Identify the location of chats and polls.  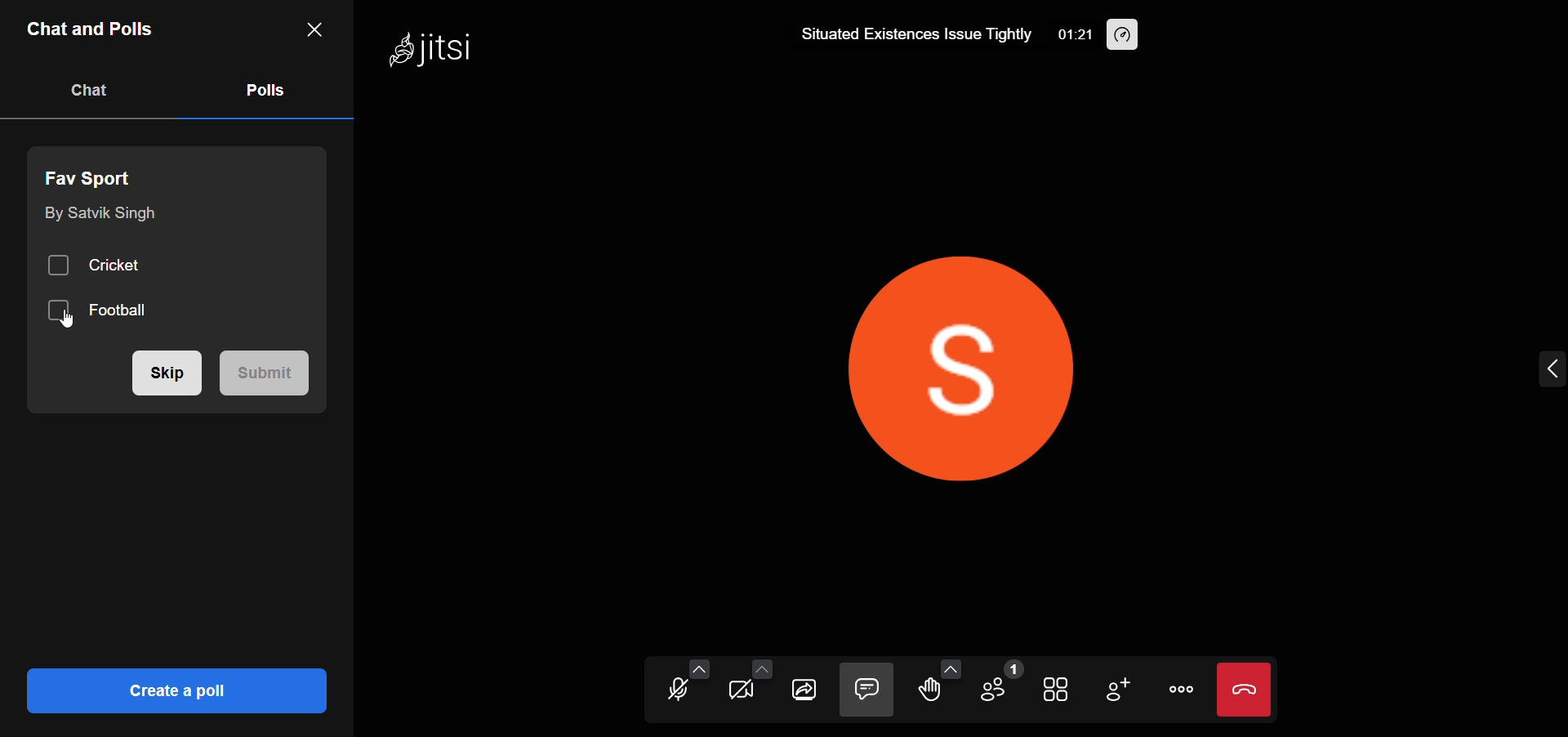
(93, 29).